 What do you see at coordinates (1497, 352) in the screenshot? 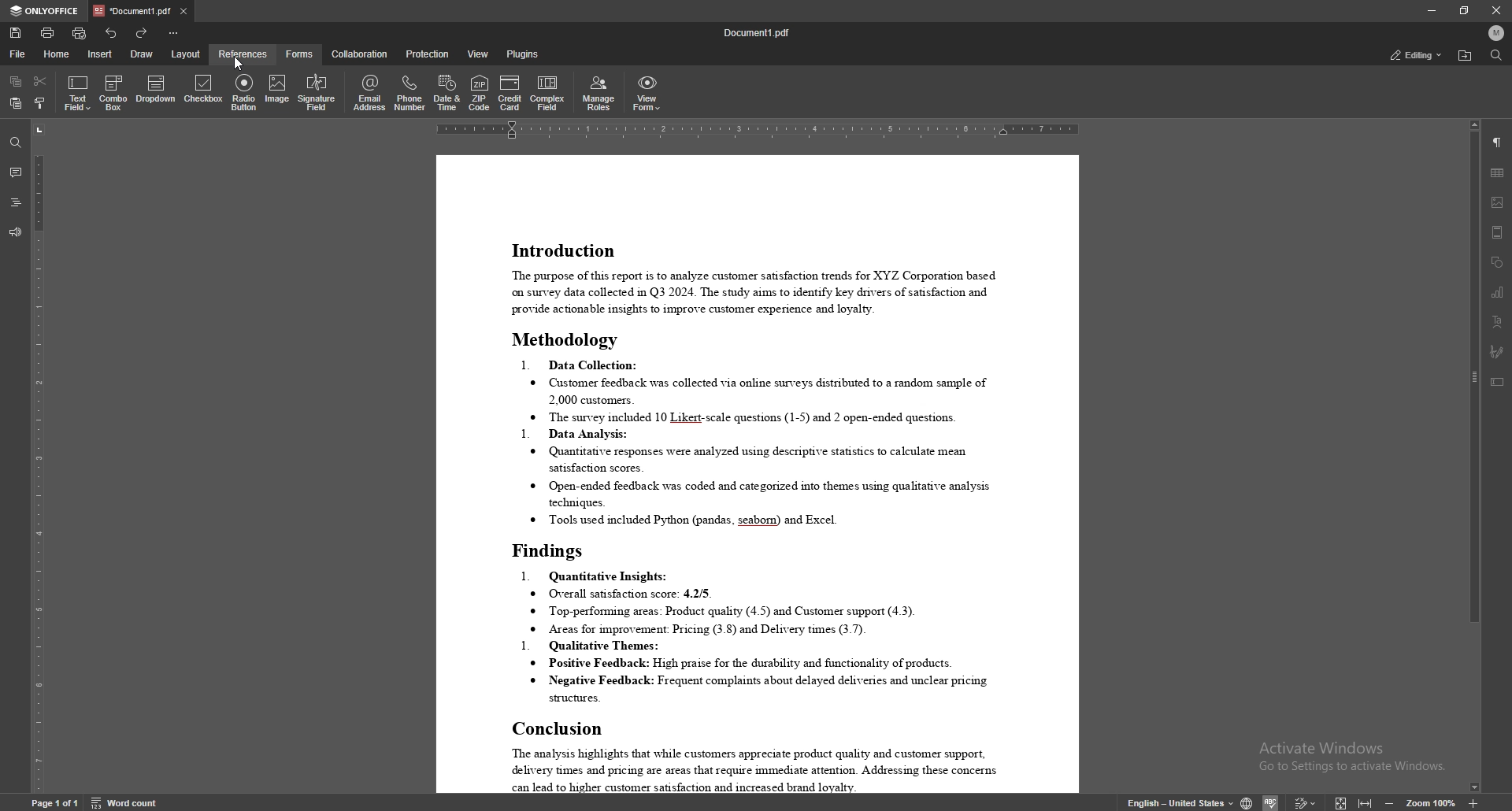
I see `signature field` at bounding box center [1497, 352].